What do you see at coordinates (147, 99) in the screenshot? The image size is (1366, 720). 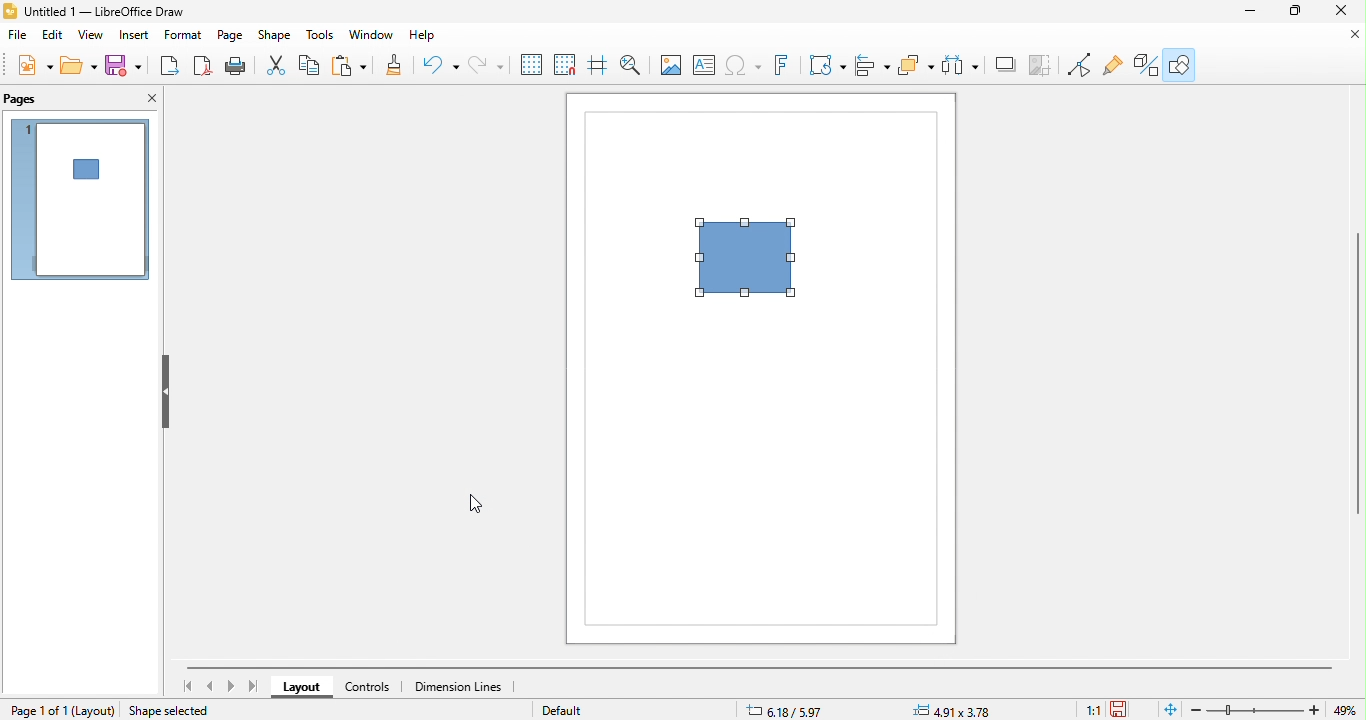 I see `close` at bounding box center [147, 99].